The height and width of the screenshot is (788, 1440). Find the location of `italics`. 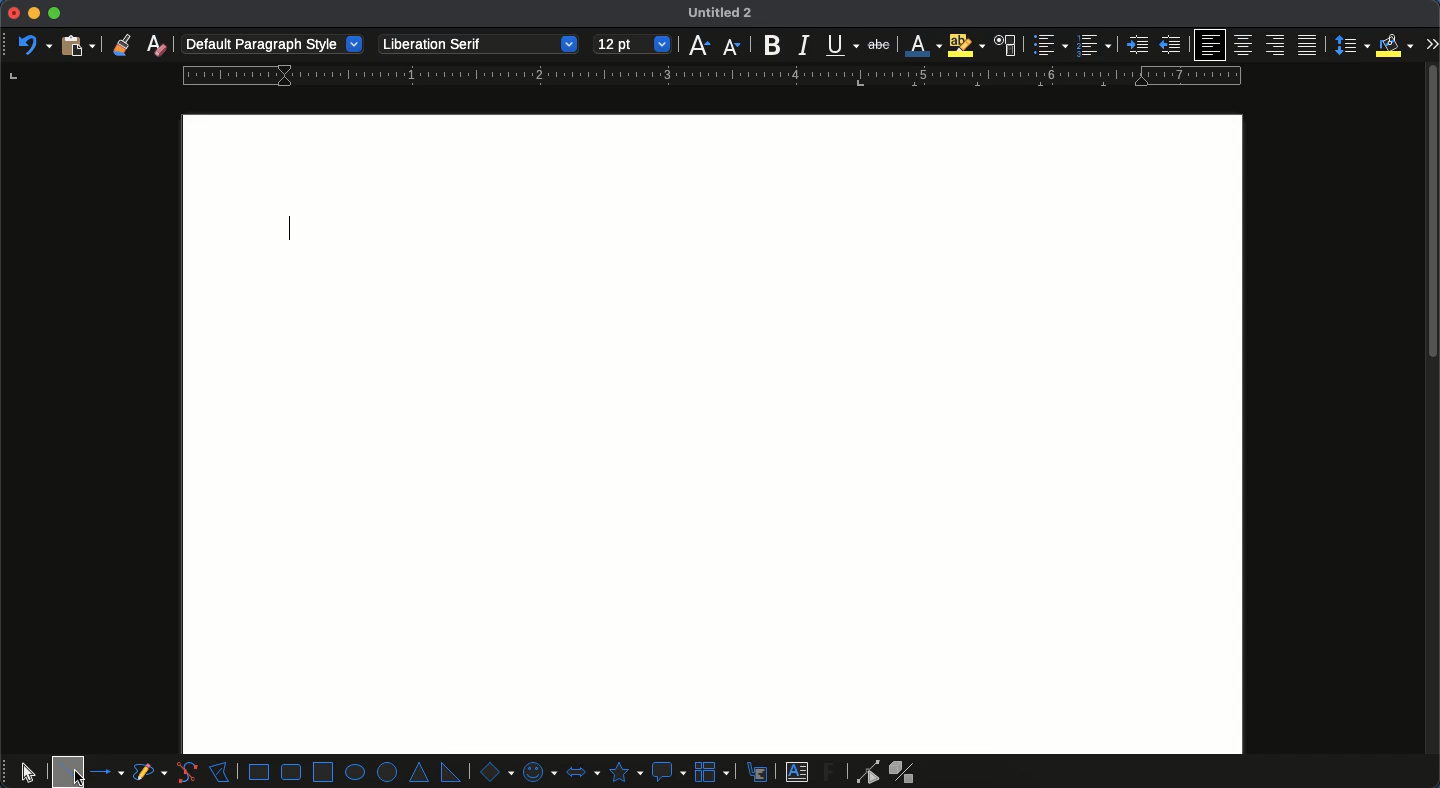

italics is located at coordinates (805, 45).